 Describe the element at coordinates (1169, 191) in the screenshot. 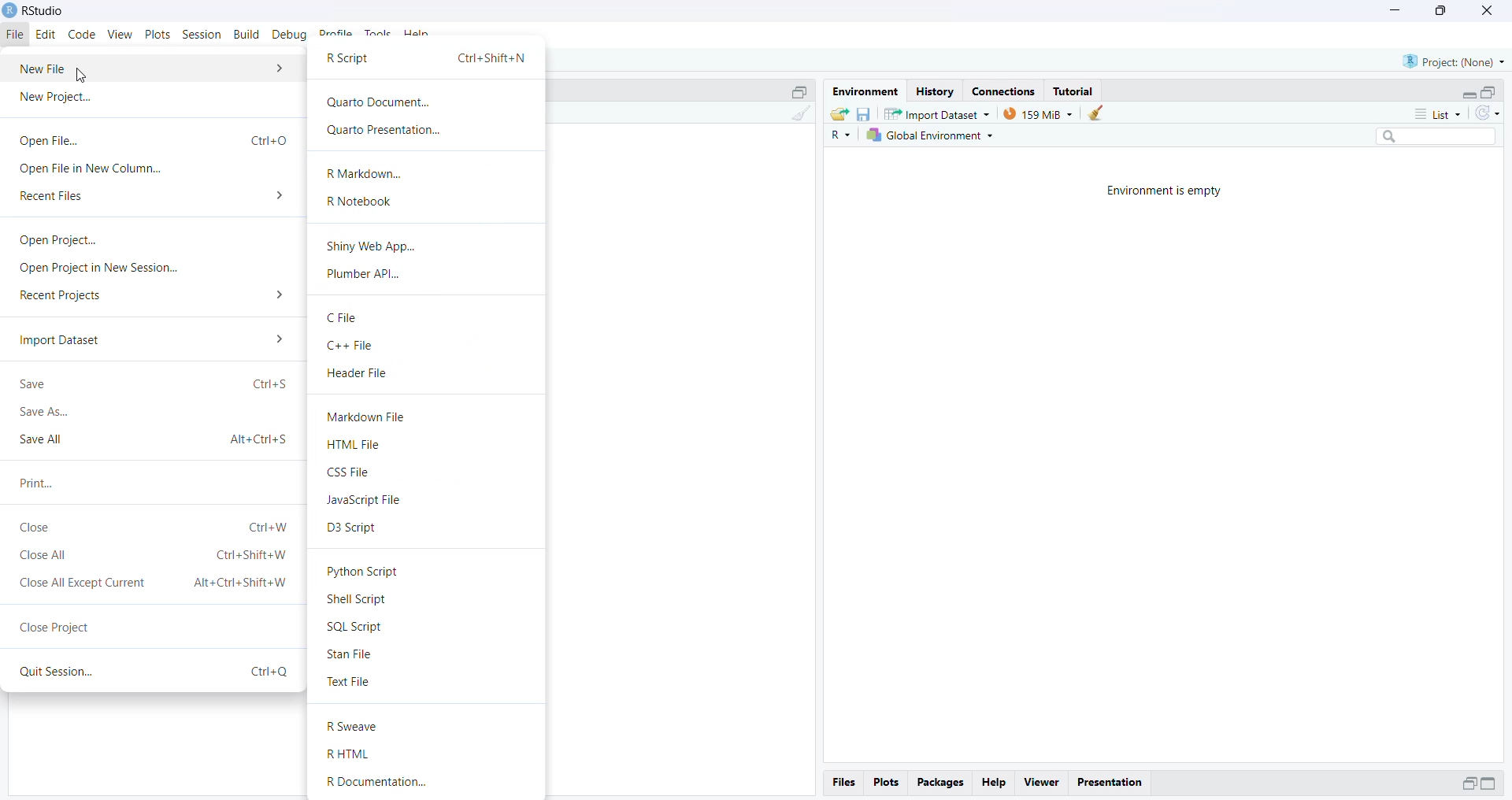

I see `Environment is empty` at that location.